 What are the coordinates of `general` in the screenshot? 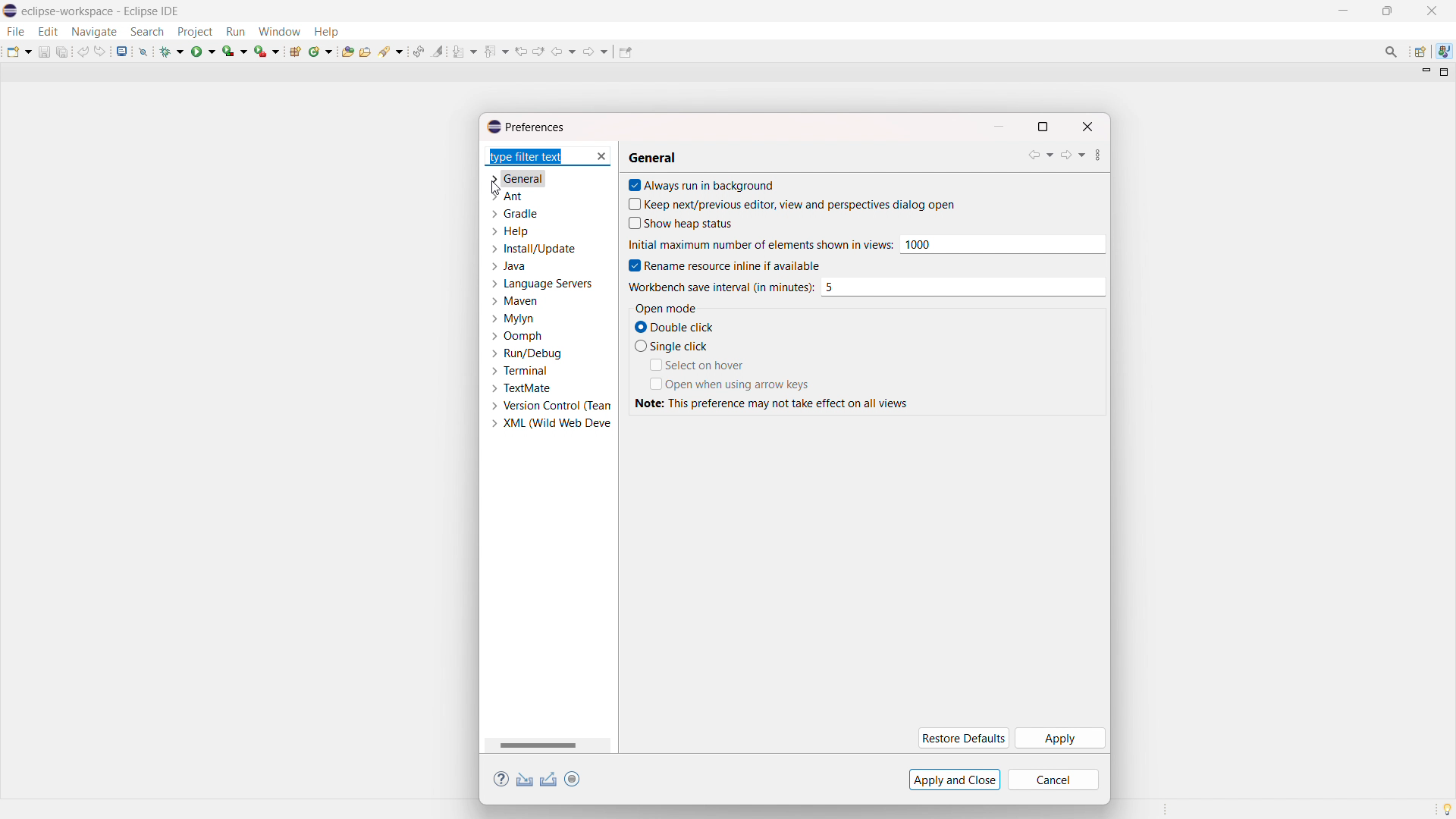 It's located at (652, 159).